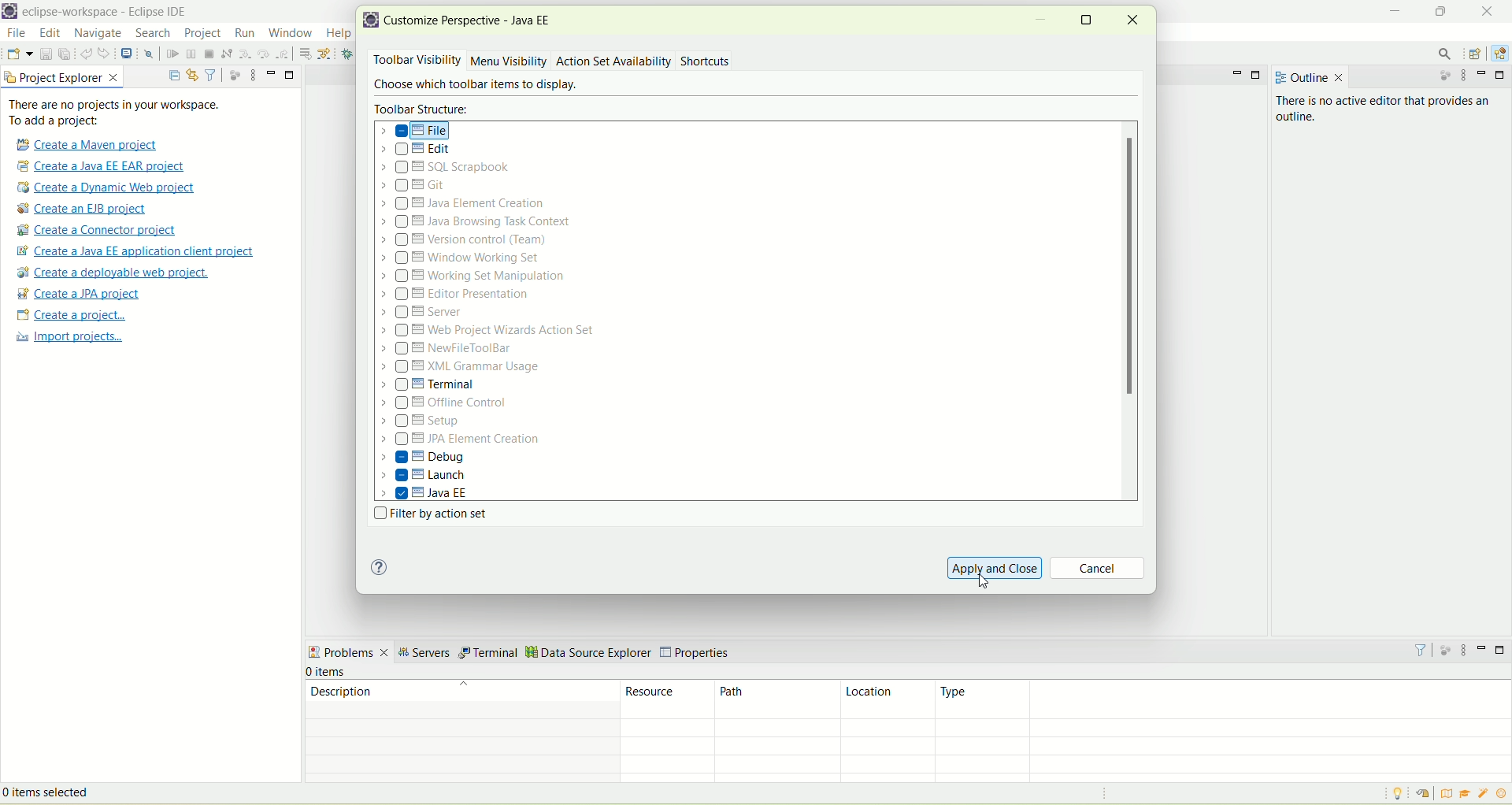 The width and height of the screenshot is (1512, 805). I want to click on availability, so click(647, 60).